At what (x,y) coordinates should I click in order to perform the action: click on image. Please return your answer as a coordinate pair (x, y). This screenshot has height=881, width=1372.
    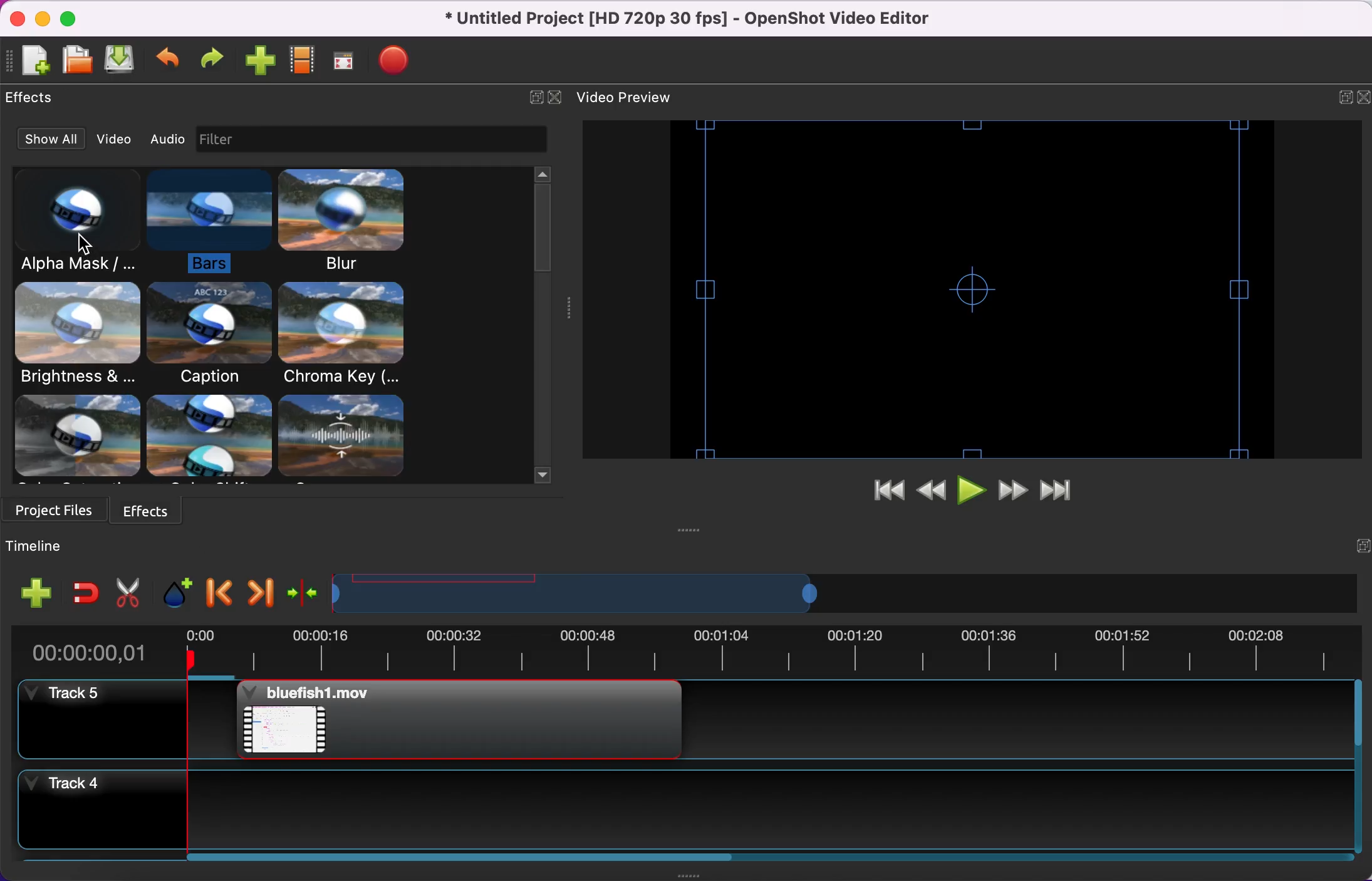
    Looking at the image, I should click on (221, 140).